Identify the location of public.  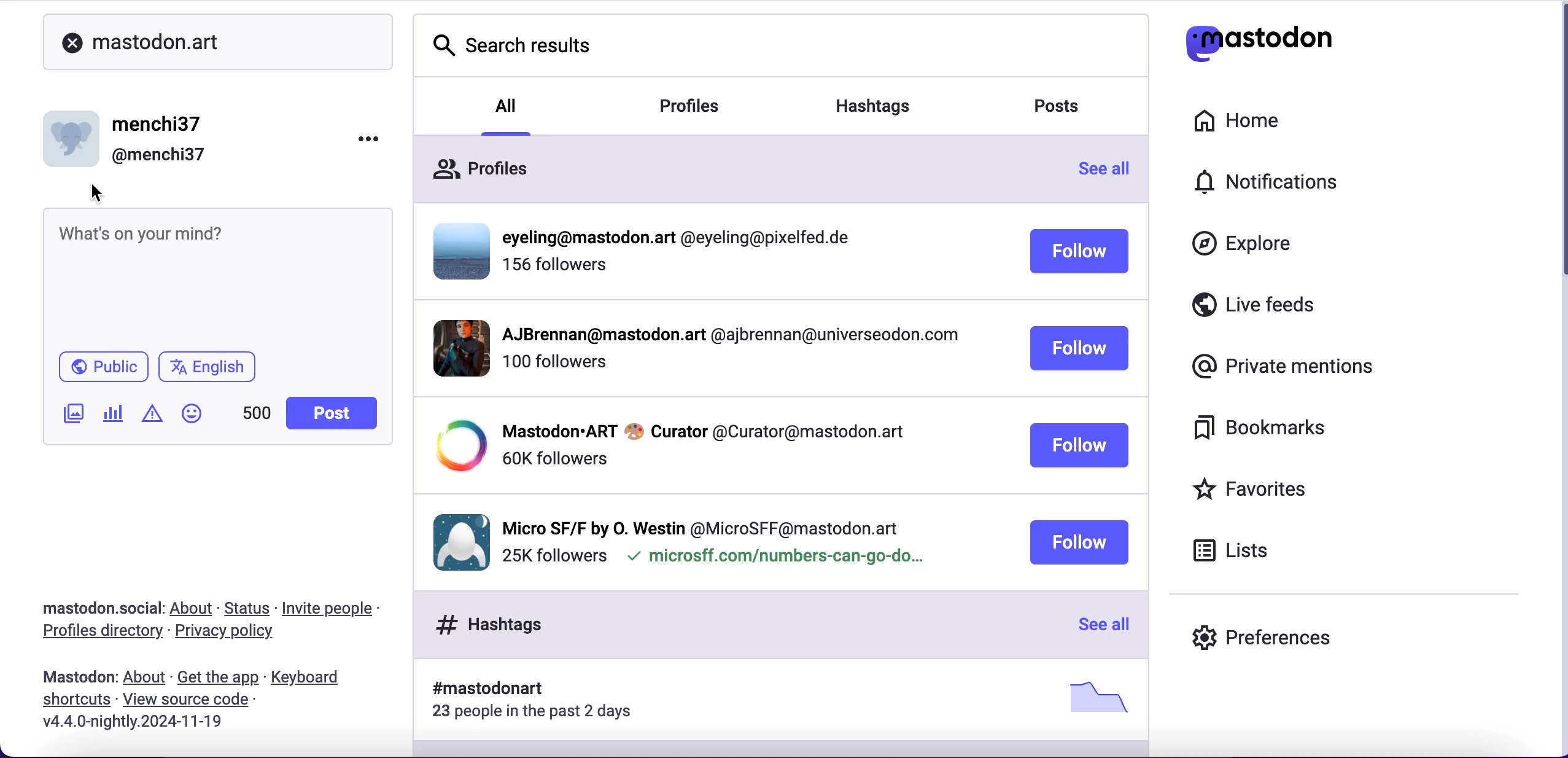
(103, 366).